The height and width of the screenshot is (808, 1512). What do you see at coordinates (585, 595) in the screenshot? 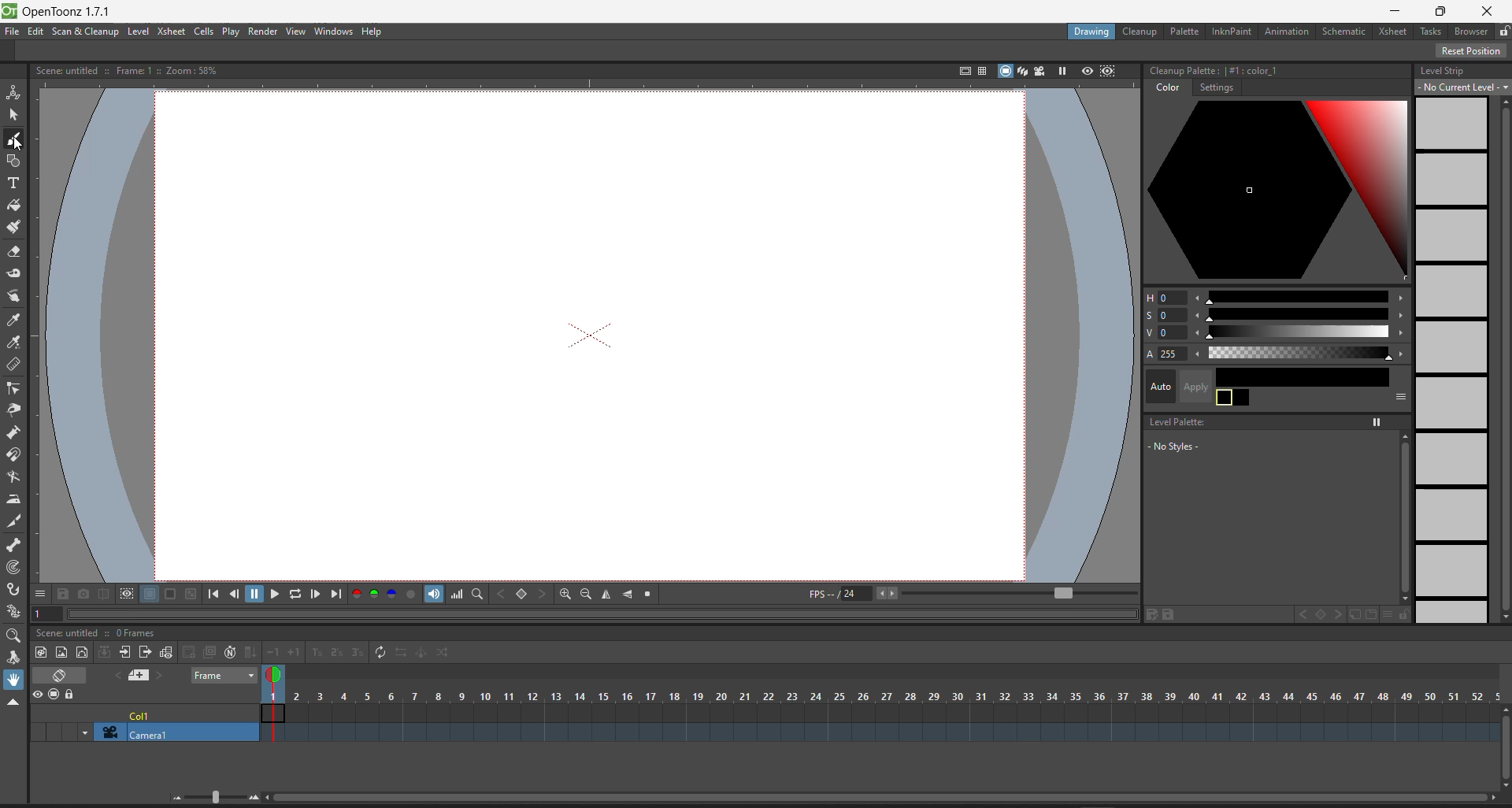
I see `zoom out` at bounding box center [585, 595].